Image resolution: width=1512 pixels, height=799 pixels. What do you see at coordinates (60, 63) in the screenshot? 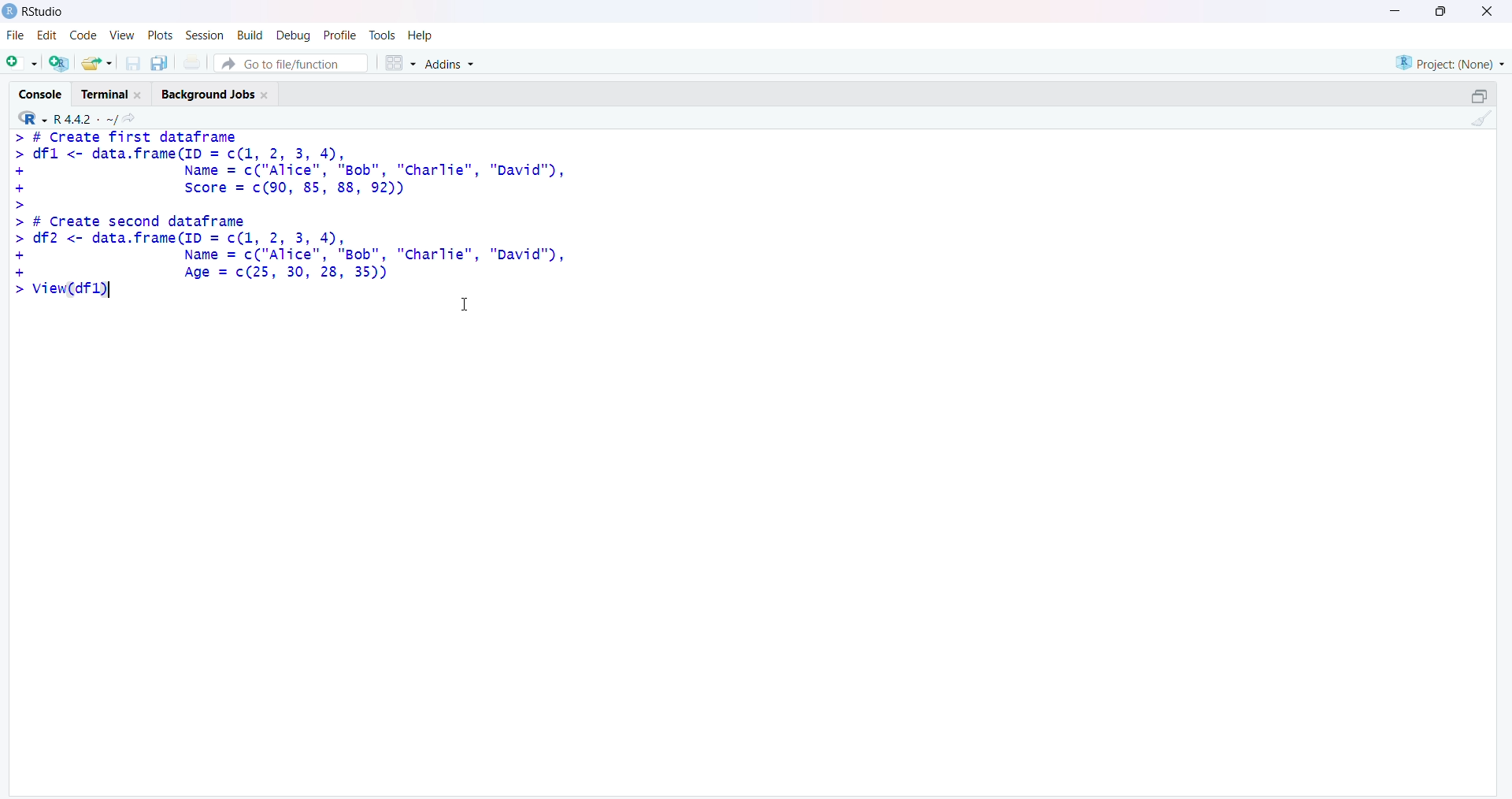
I see `add R file` at bounding box center [60, 63].